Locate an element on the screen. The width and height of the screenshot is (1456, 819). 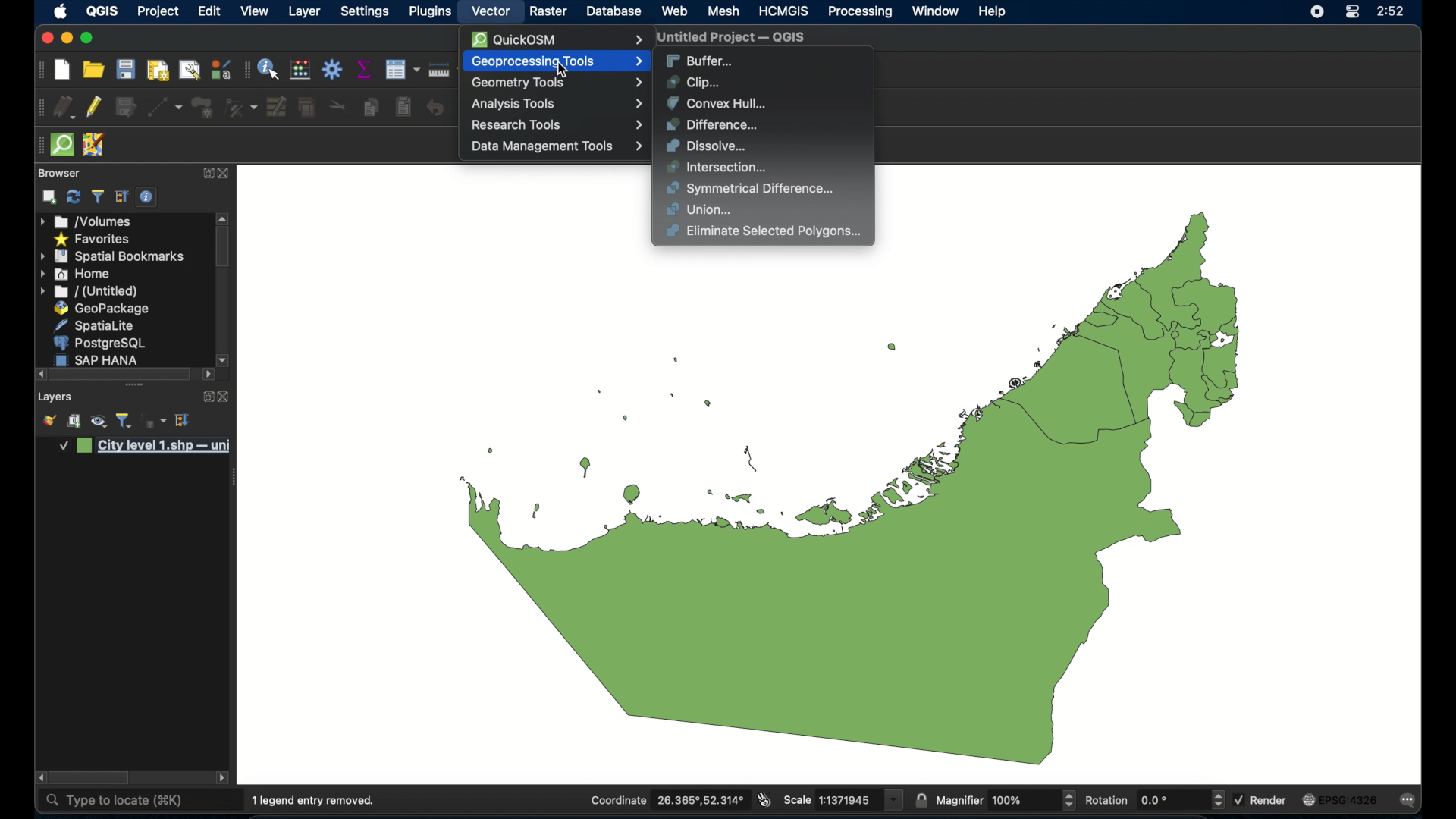
eliminate selected polygons is located at coordinates (766, 232).